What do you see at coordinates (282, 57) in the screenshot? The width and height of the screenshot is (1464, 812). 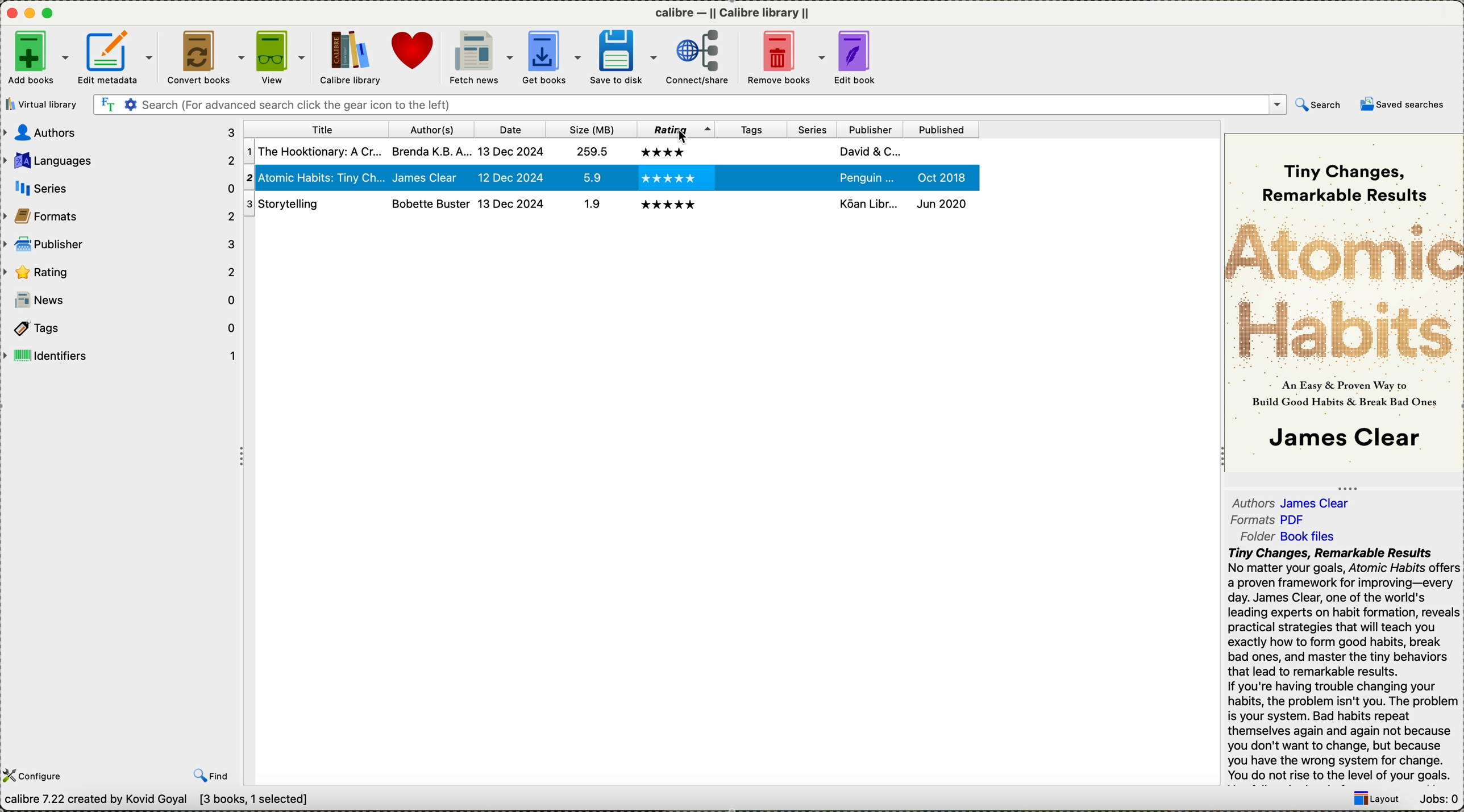 I see `view` at bounding box center [282, 57].